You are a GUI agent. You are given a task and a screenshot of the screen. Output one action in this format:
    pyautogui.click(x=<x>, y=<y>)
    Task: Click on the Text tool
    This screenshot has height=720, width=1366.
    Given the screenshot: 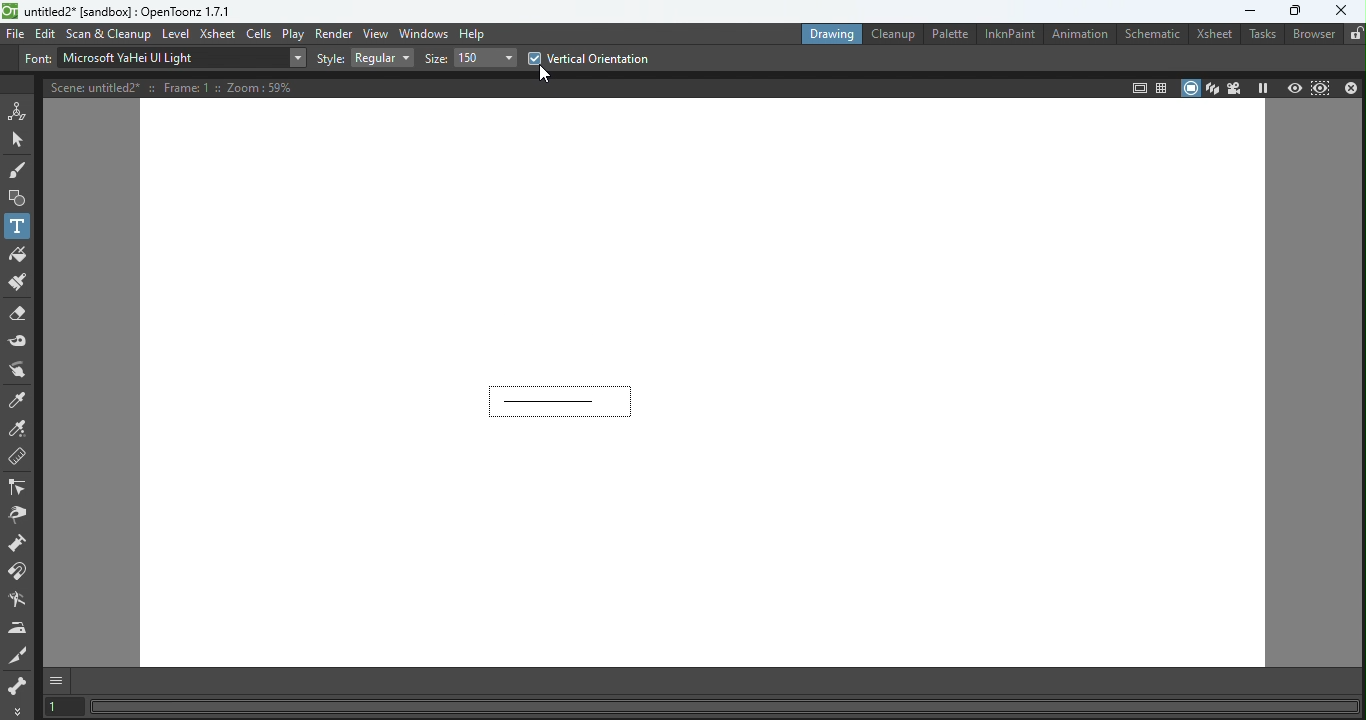 What is the action you would take?
    pyautogui.click(x=18, y=227)
    